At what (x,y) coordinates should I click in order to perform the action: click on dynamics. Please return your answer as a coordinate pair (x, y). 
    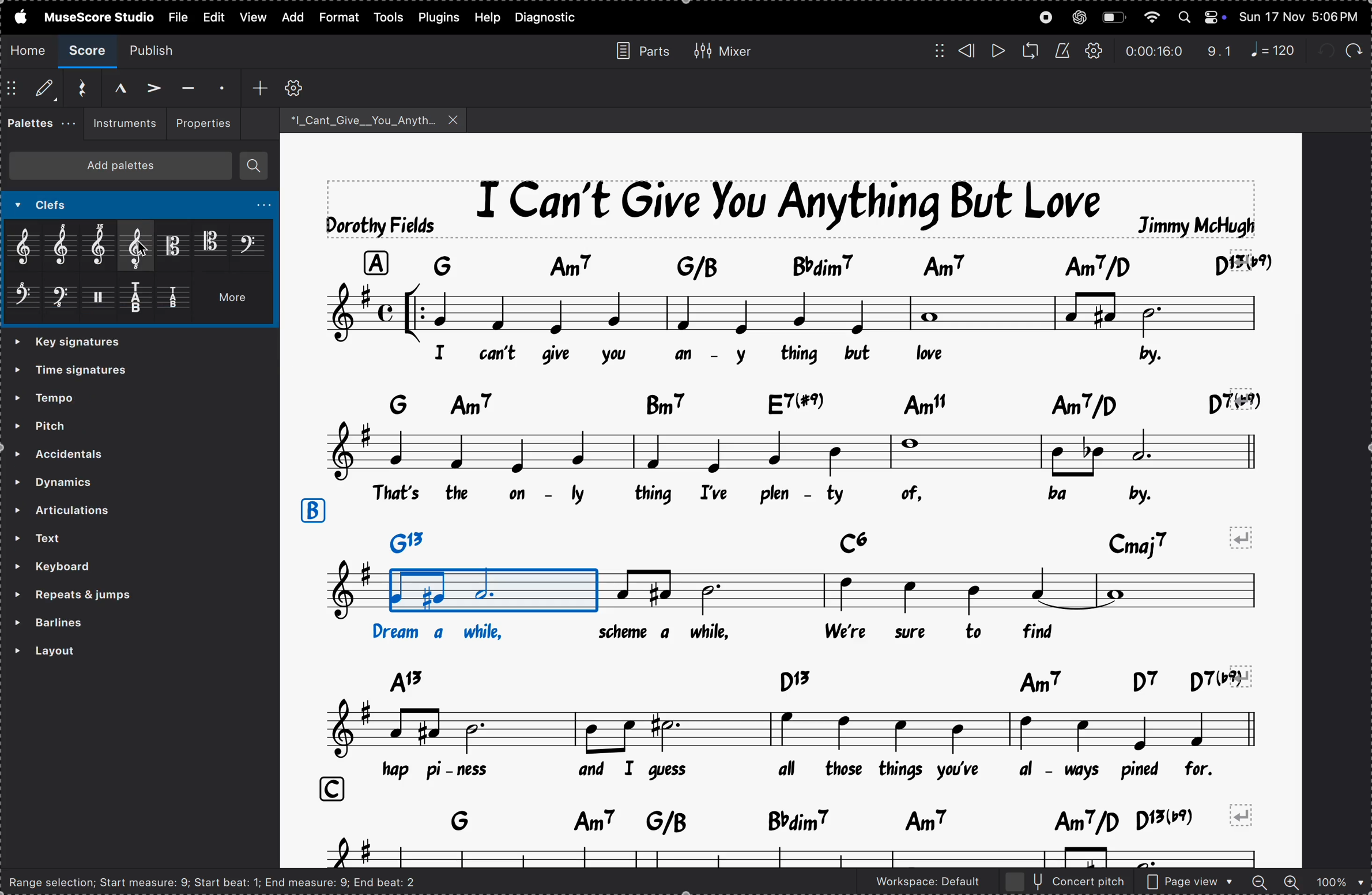
    Looking at the image, I should click on (95, 479).